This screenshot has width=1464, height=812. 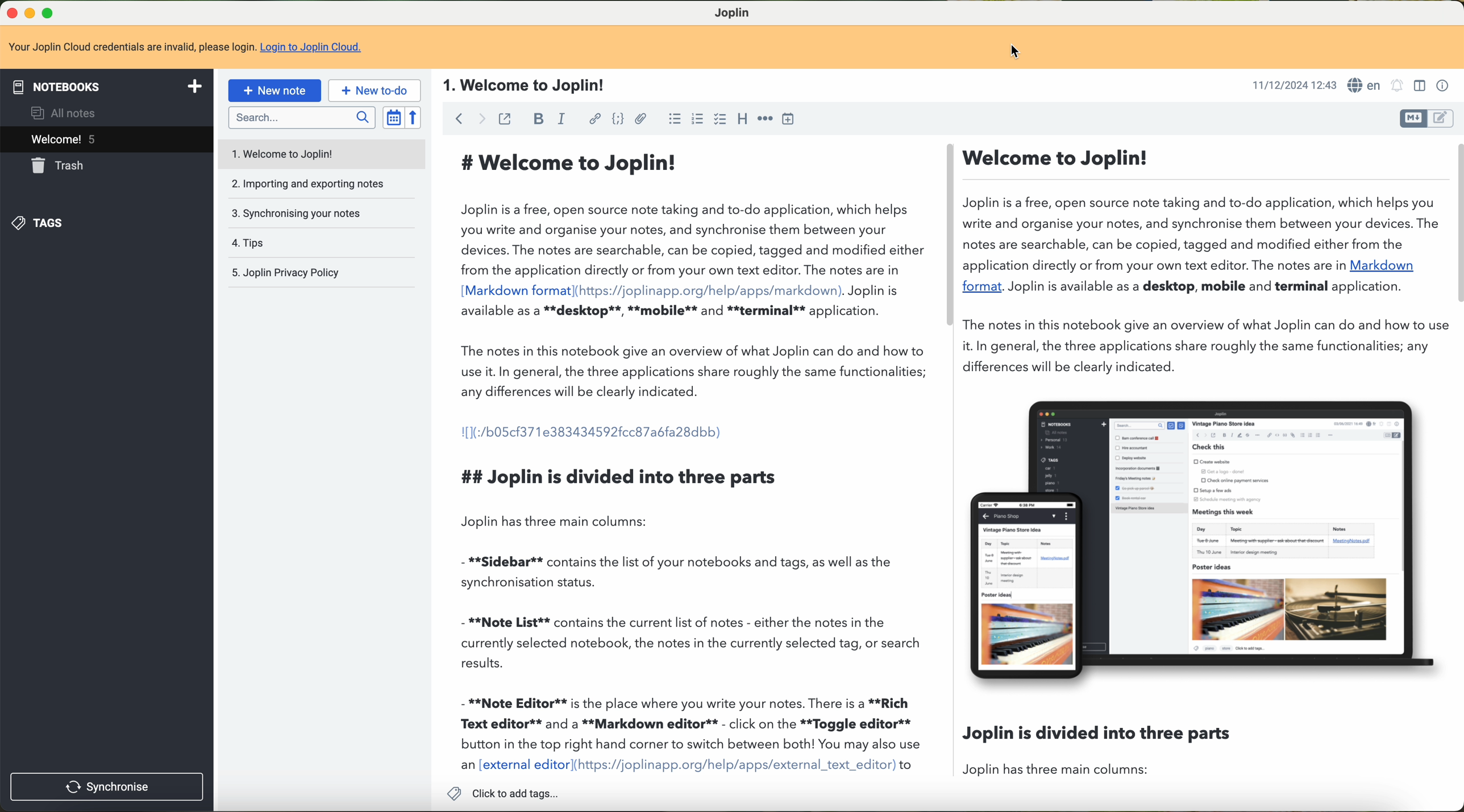 I want to click on hyperlink, so click(x=596, y=119).